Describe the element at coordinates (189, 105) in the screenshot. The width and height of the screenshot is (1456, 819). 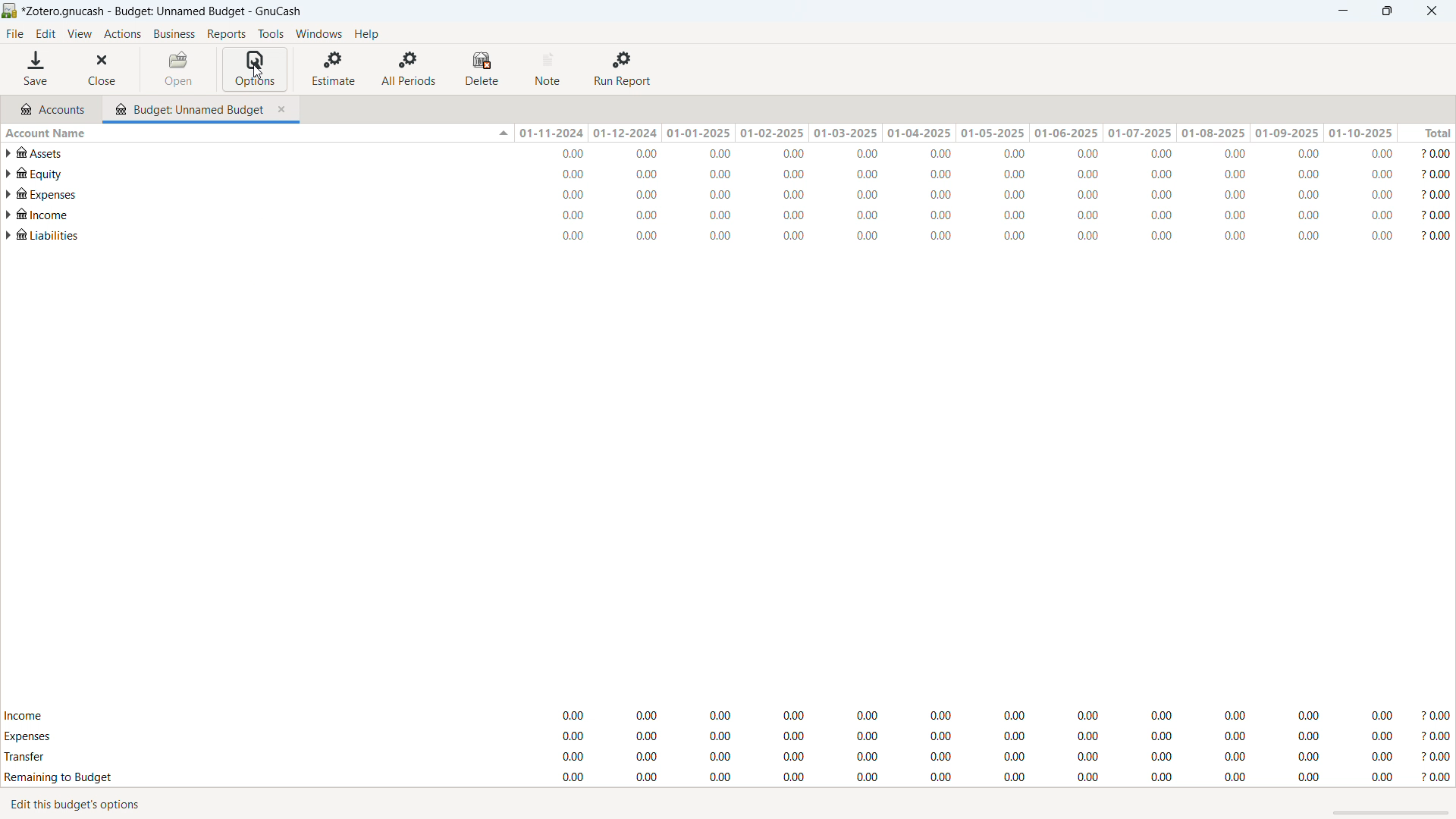
I see `budget tab` at that location.